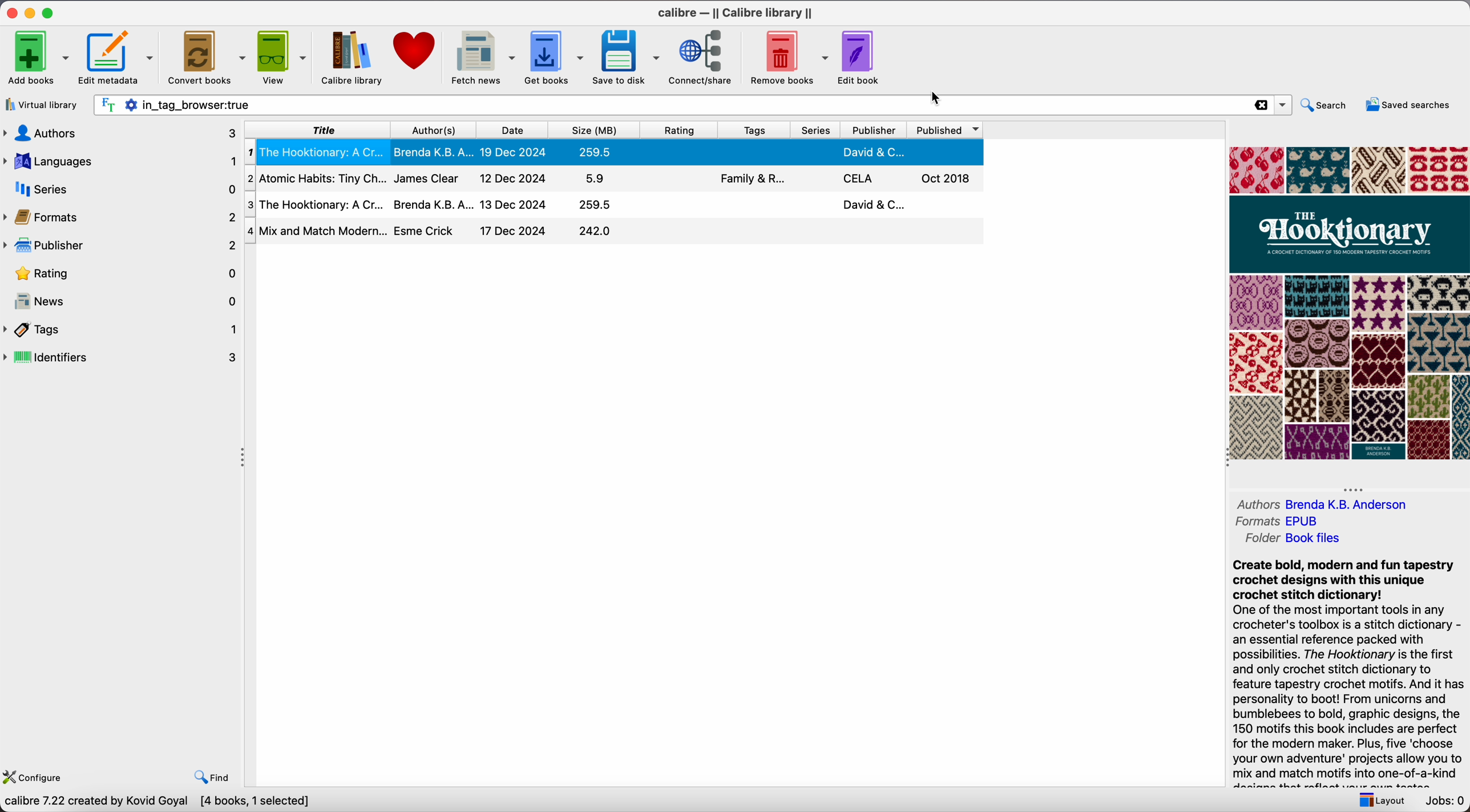 The width and height of the screenshot is (1470, 812). What do you see at coordinates (938, 97) in the screenshot?
I see `cursor` at bounding box center [938, 97].